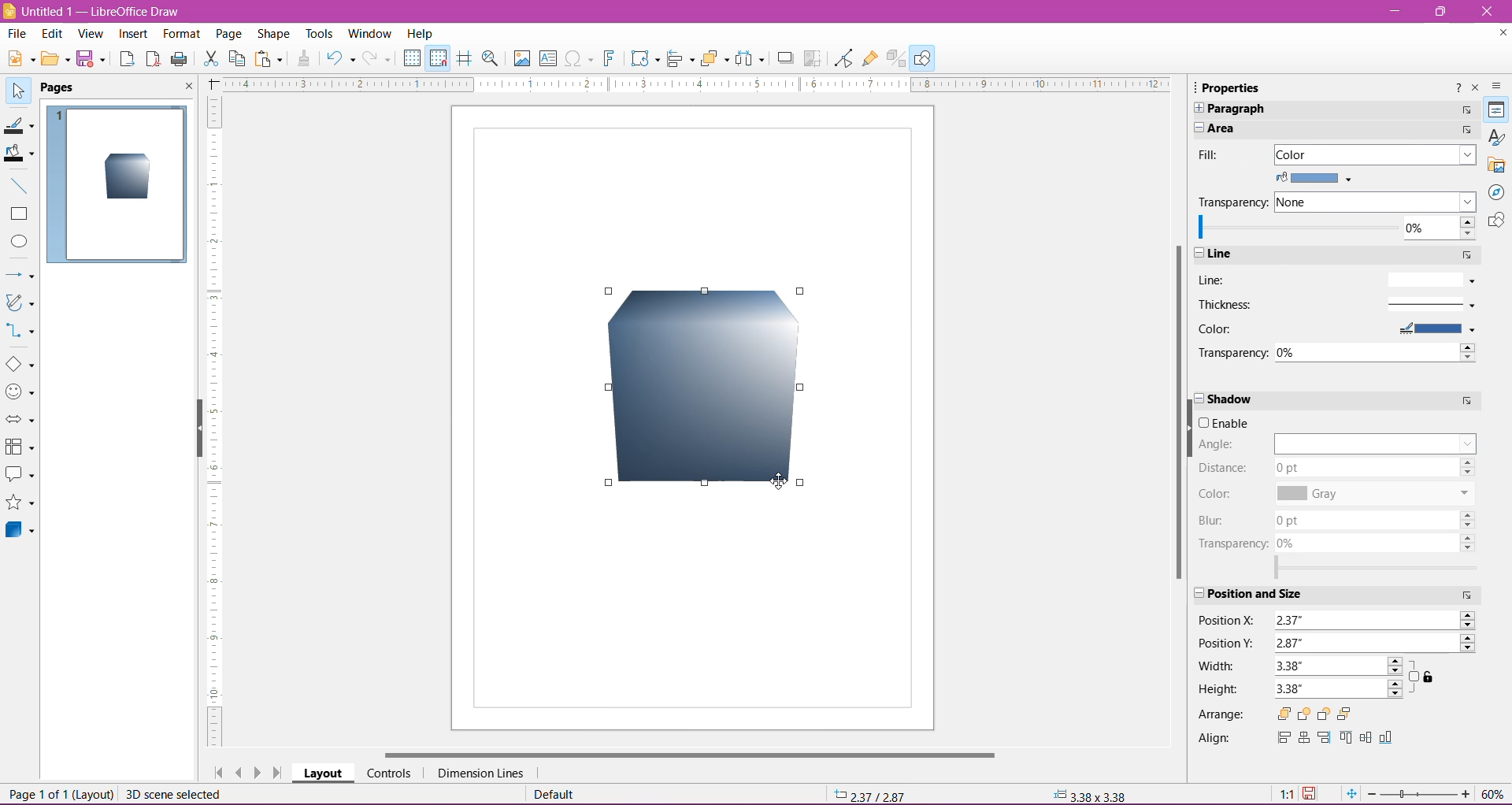 The image size is (1512, 805). What do you see at coordinates (1088, 793) in the screenshot?
I see `` at bounding box center [1088, 793].